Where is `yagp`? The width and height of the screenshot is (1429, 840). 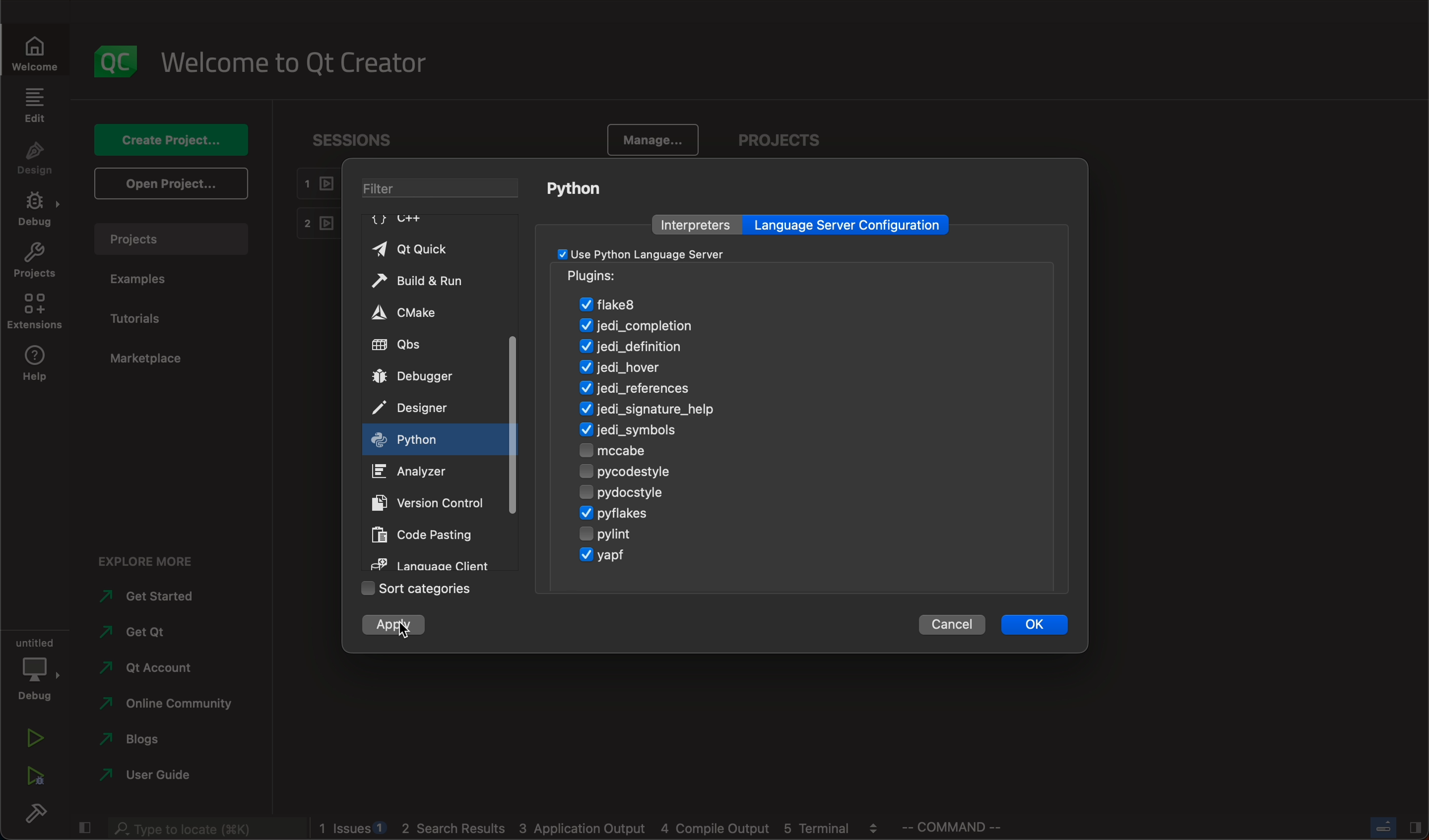
yagp is located at coordinates (610, 553).